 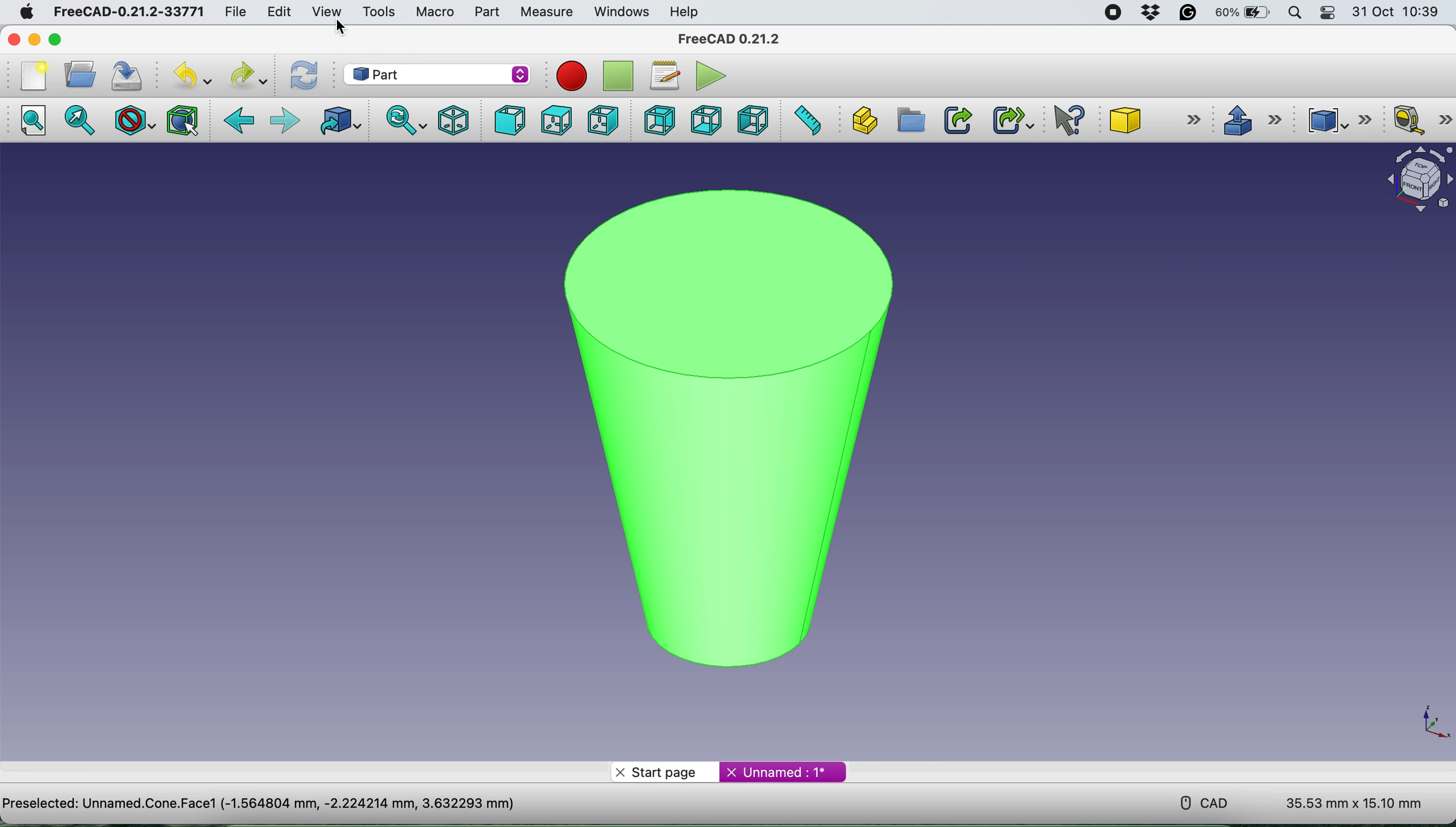 What do you see at coordinates (263, 804) in the screenshot?
I see `Preselected: unnamed.cone.face1 (-1.564804 mm, -2.224214 mm, 3.632293 mm)` at bounding box center [263, 804].